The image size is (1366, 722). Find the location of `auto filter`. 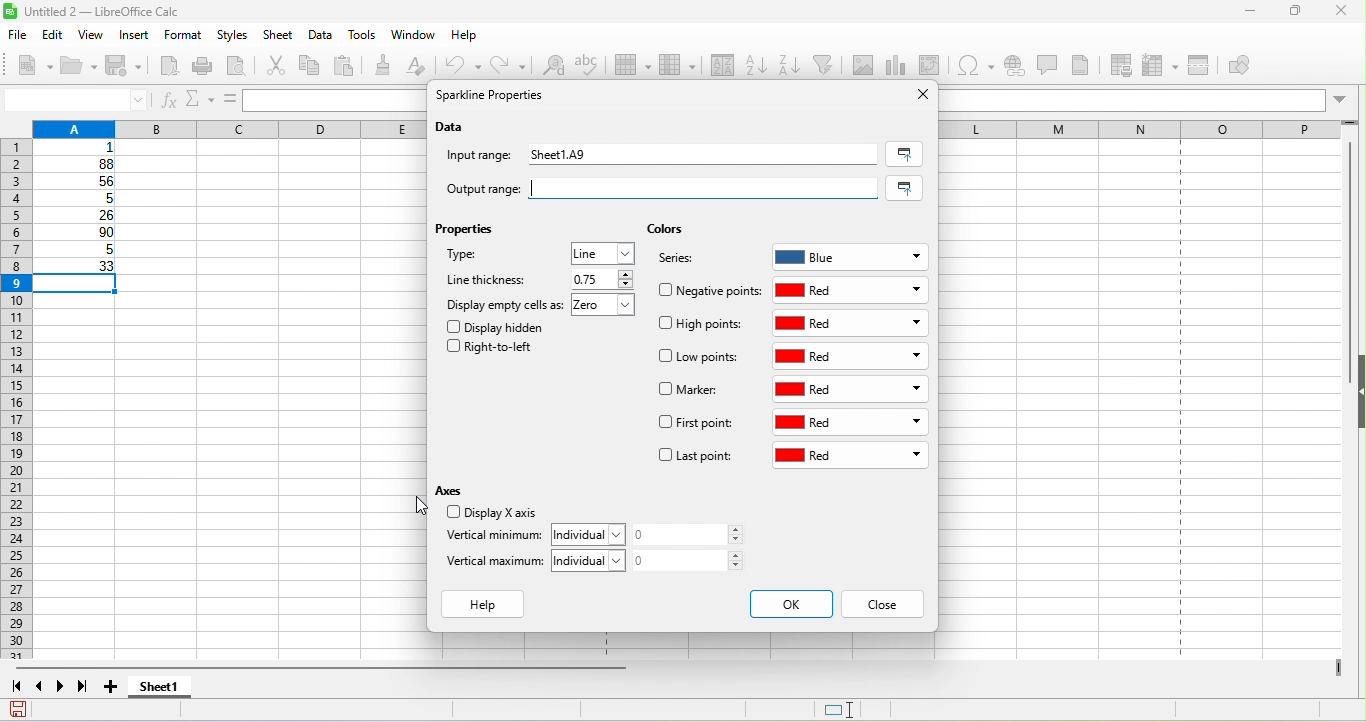

auto filter is located at coordinates (826, 65).